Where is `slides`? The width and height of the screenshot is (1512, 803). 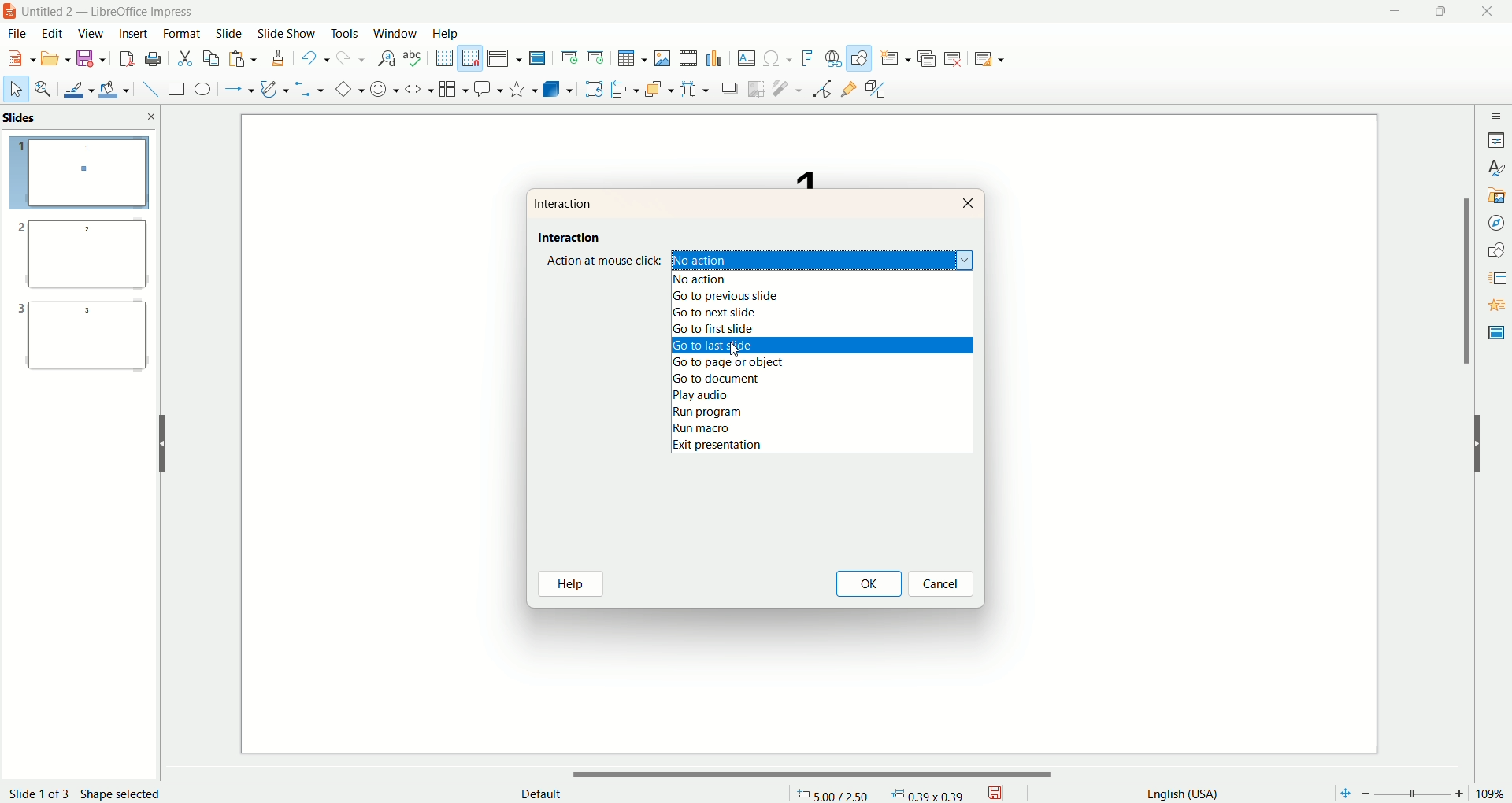
slides is located at coordinates (24, 118).